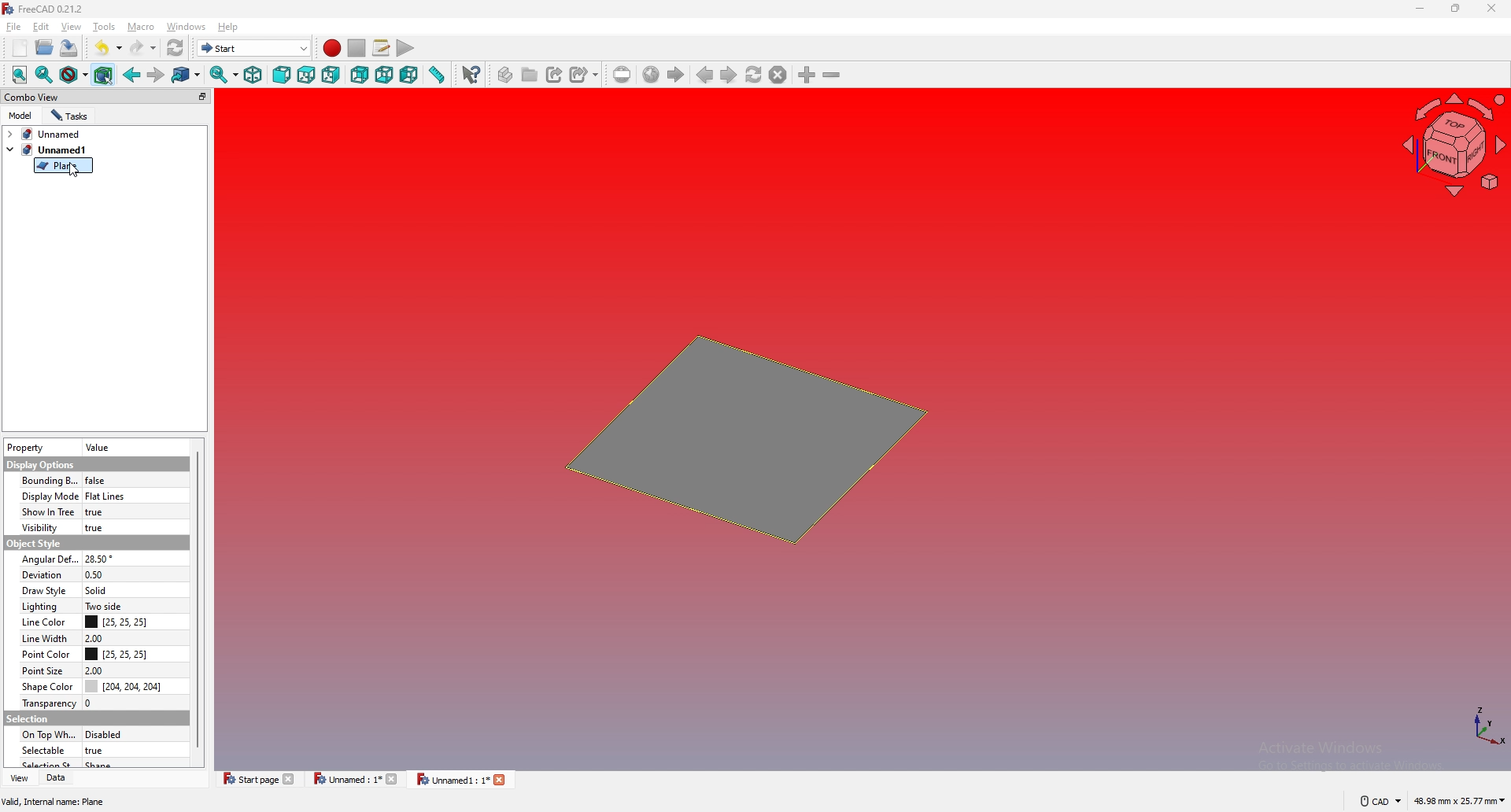 The height and width of the screenshot is (812, 1511). What do you see at coordinates (331, 75) in the screenshot?
I see `right` at bounding box center [331, 75].